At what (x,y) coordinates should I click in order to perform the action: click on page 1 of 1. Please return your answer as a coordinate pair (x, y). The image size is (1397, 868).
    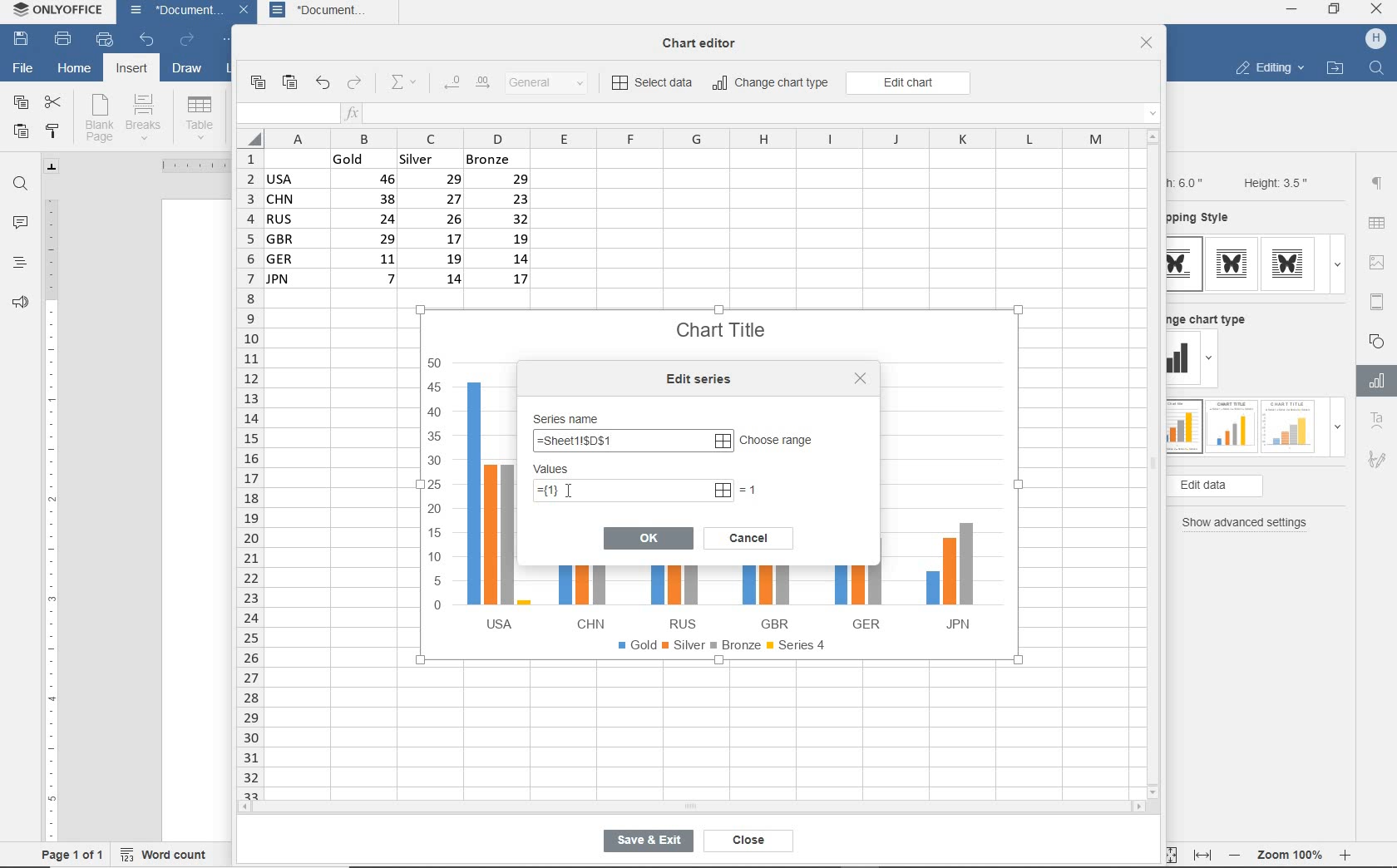
    Looking at the image, I should click on (73, 854).